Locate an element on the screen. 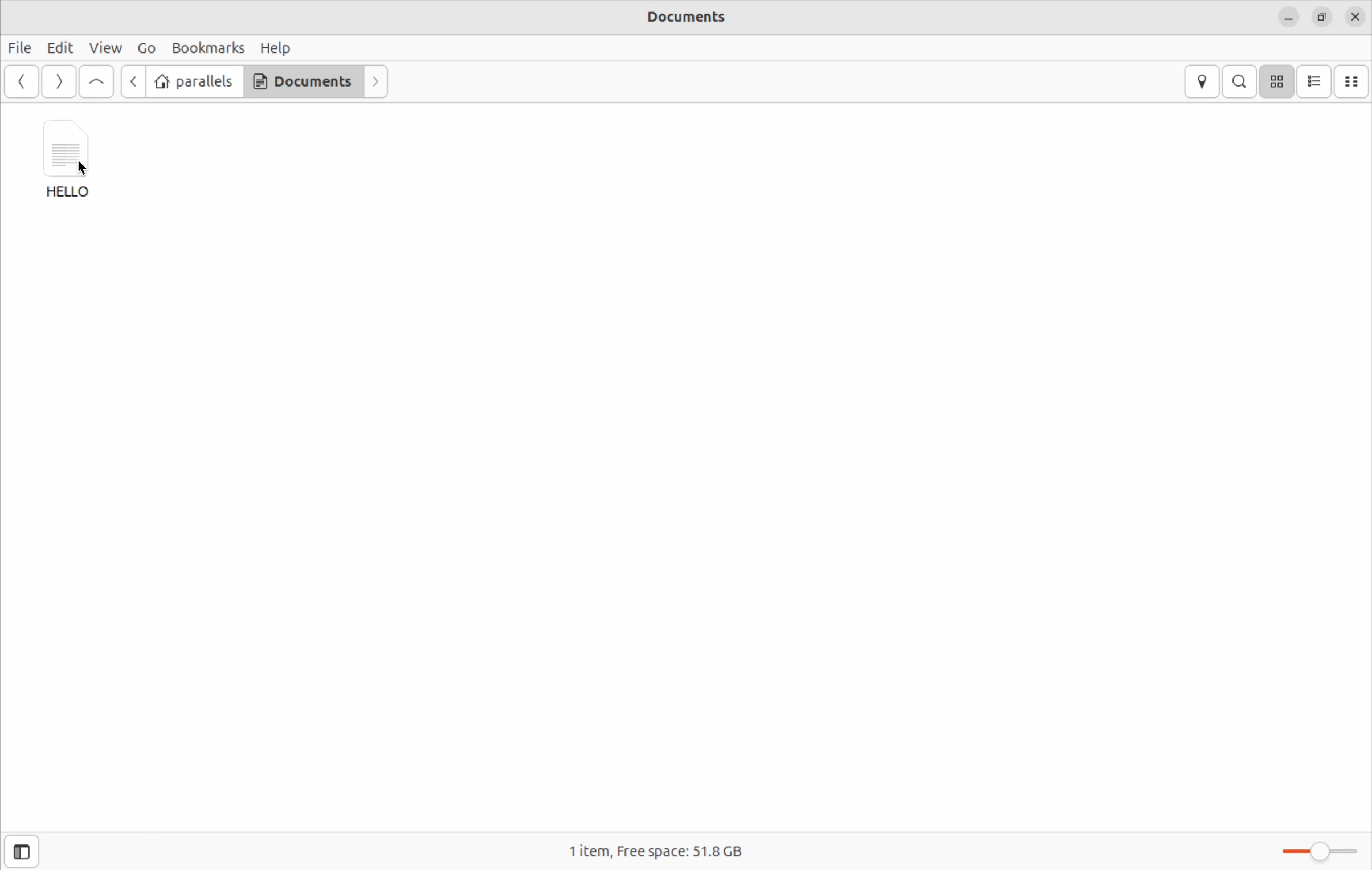 The width and height of the screenshot is (1372, 870). back is located at coordinates (19, 83).